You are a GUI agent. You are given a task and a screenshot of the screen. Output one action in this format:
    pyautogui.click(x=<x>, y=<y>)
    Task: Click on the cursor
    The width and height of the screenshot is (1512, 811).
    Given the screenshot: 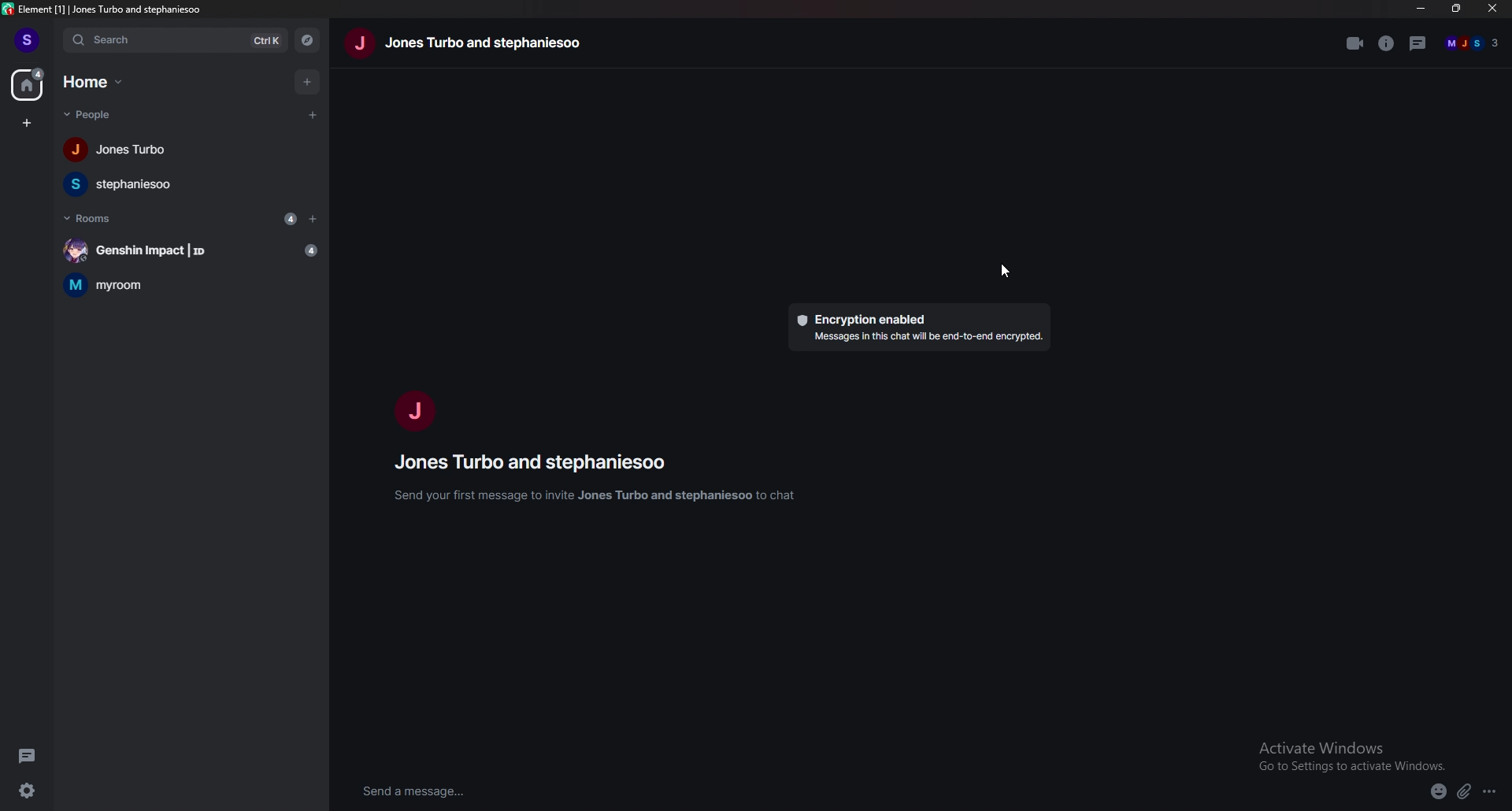 What is the action you would take?
    pyautogui.click(x=1007, y=271)
    